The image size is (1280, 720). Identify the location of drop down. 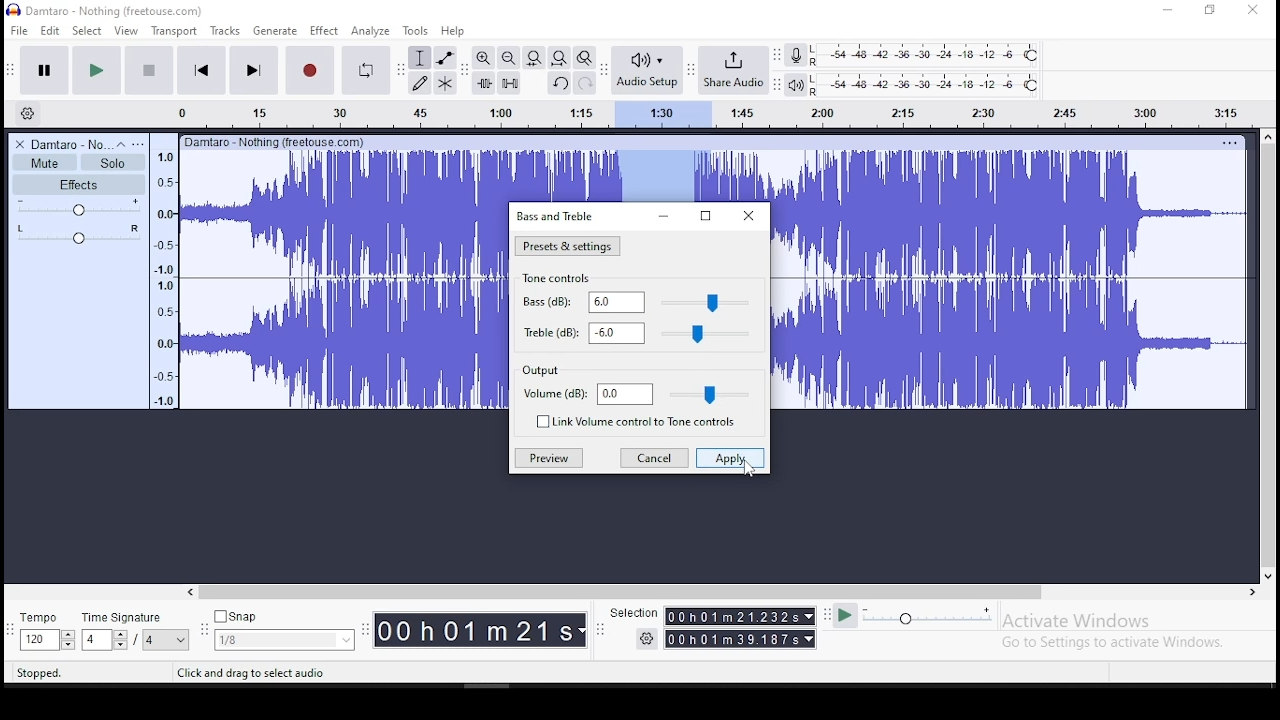
(807, 616).